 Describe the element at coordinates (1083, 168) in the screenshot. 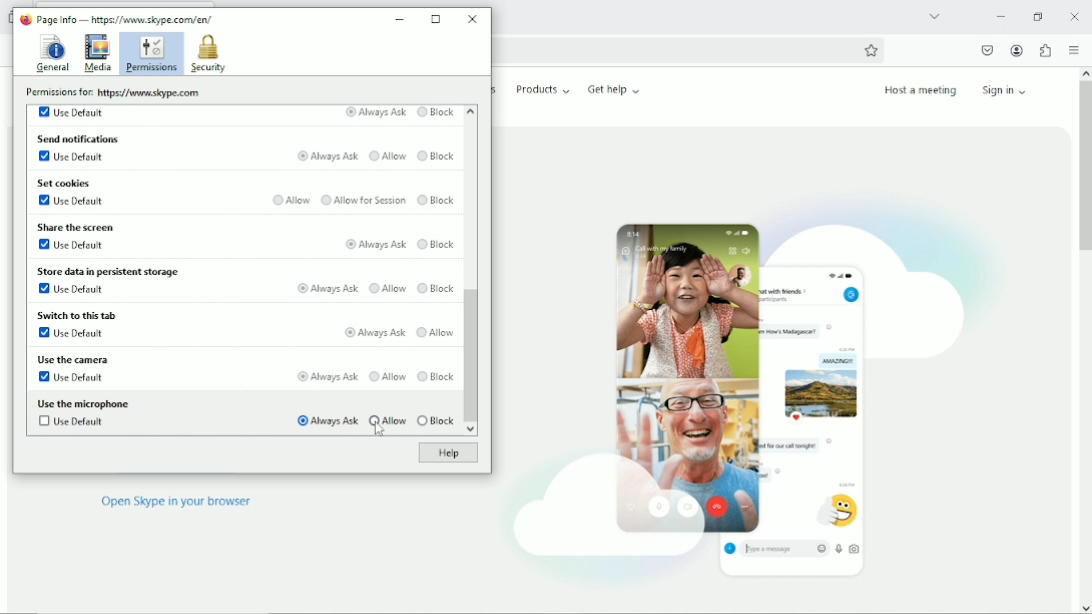

I see `vertical scrollbar` at that location.